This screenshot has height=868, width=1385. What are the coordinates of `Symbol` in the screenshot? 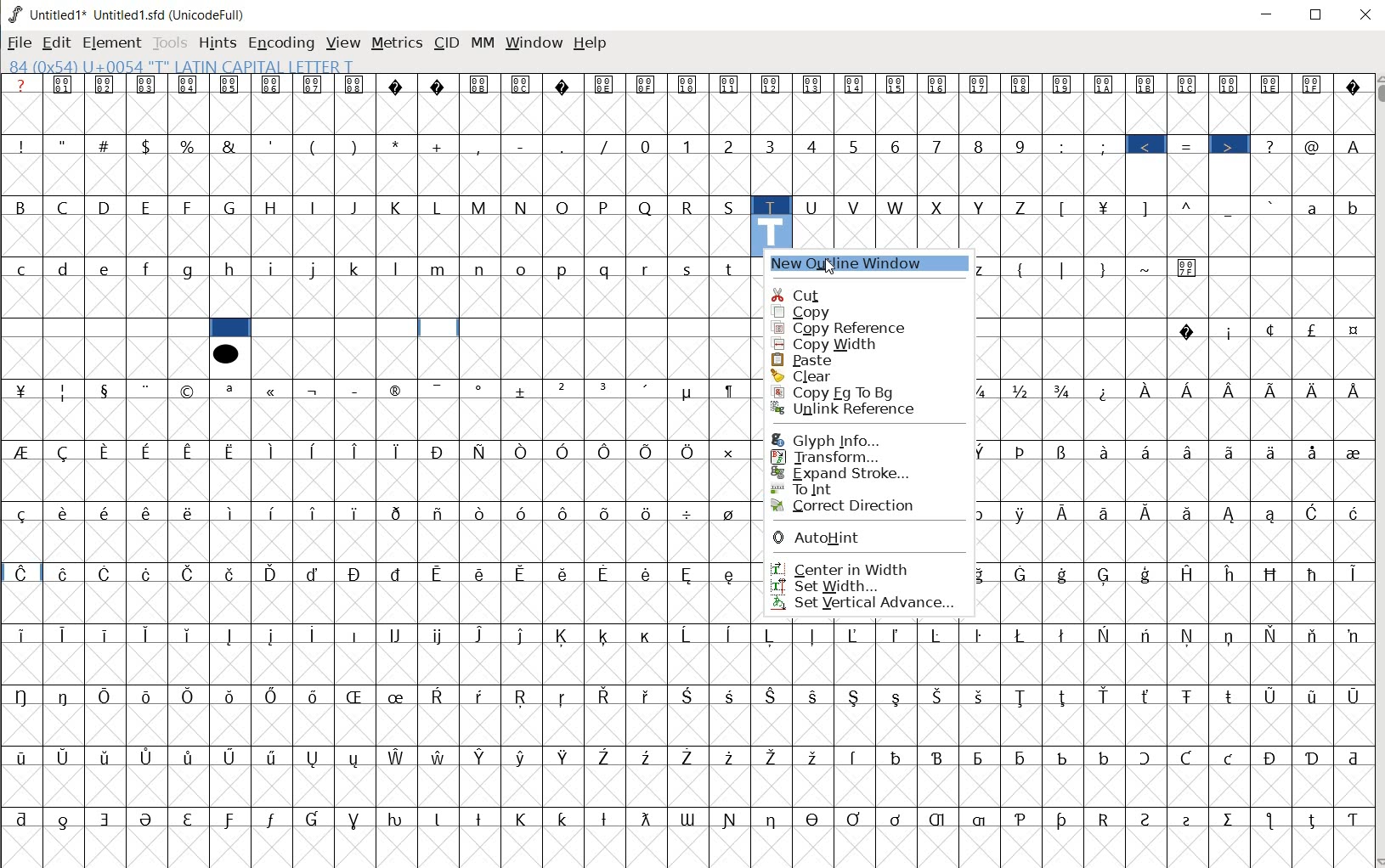 It's located at (1066, 819).